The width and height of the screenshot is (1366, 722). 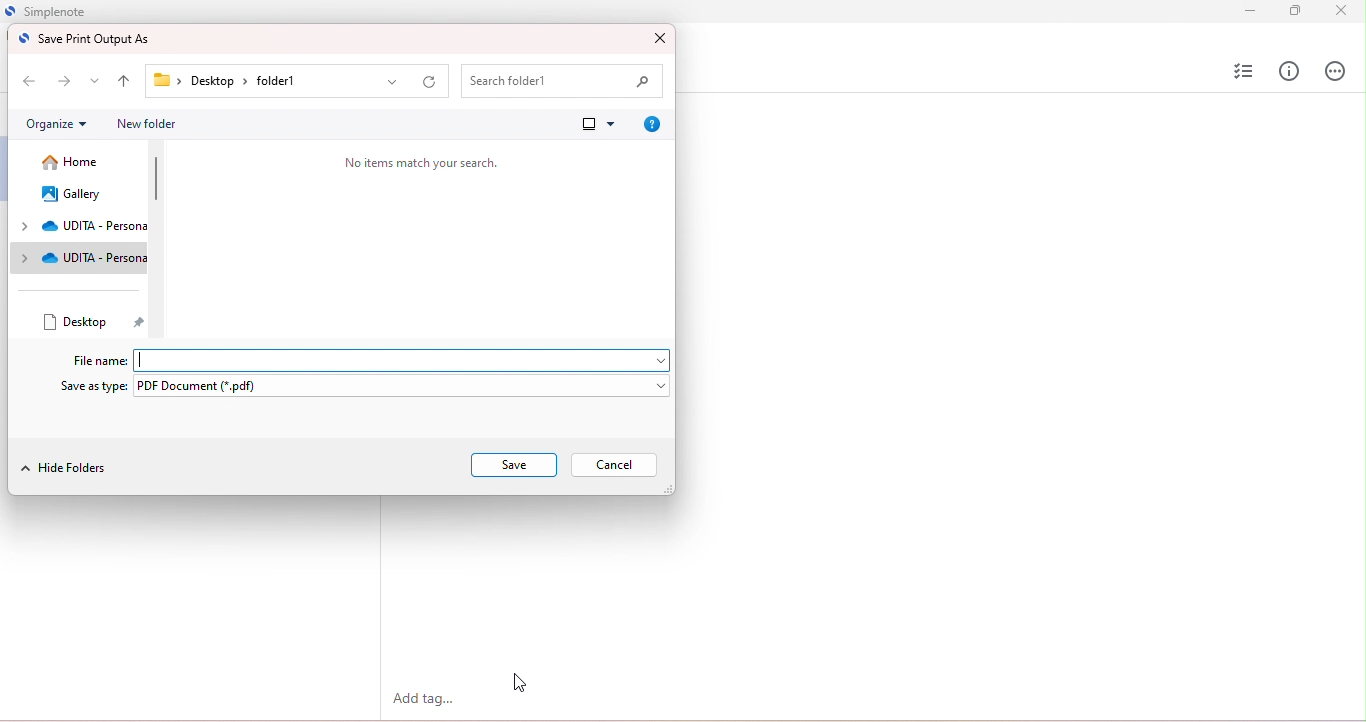 I want to click on drop down, so click(x=96, y=81).